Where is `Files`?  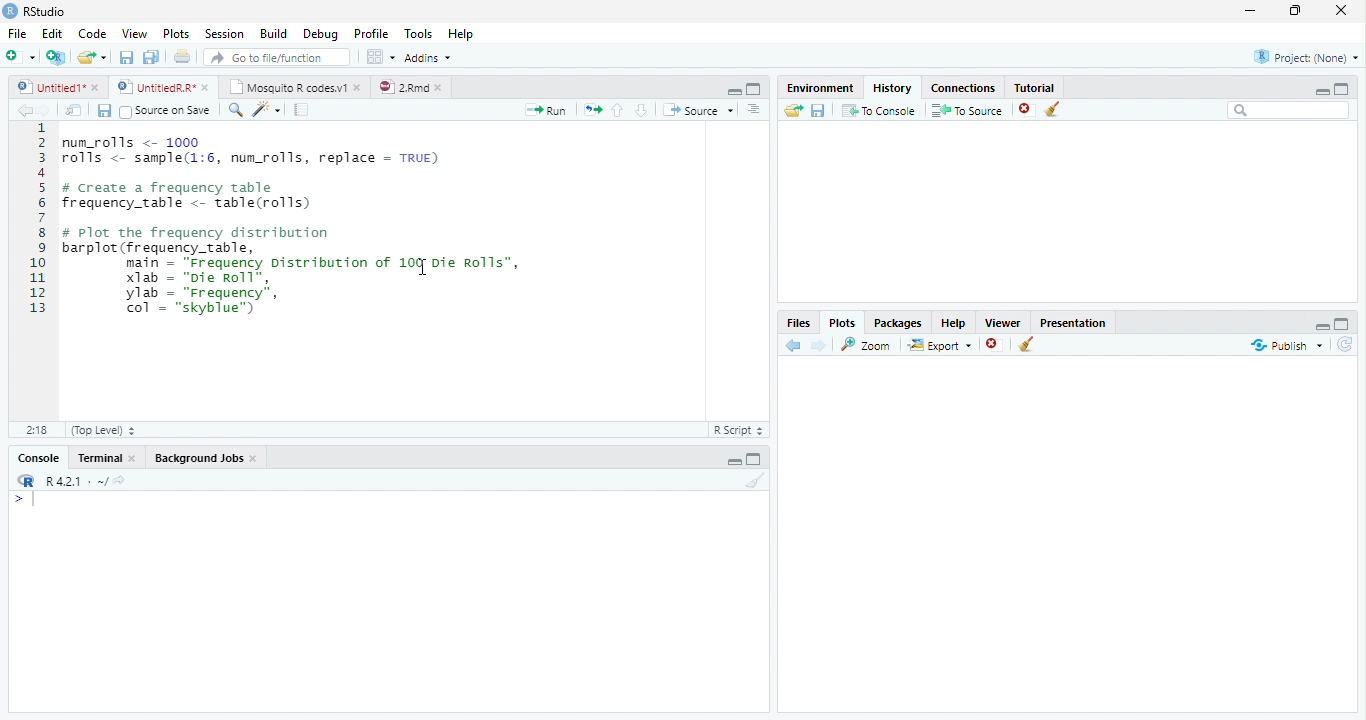 Files is located at coordinates (798, 321).